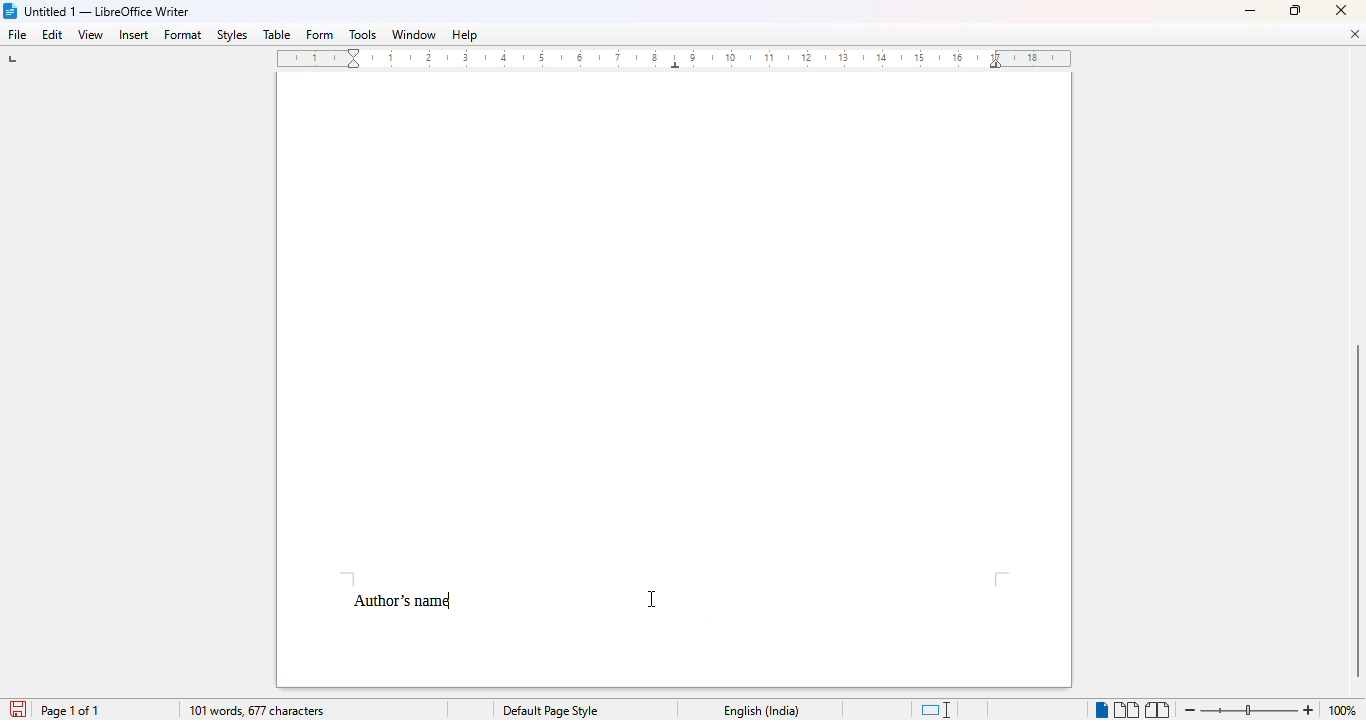 The height and width of the screenshot is (720, 1366). I want to click on Untitled 1 -- LibreOffice Writer, so click(110, 10).